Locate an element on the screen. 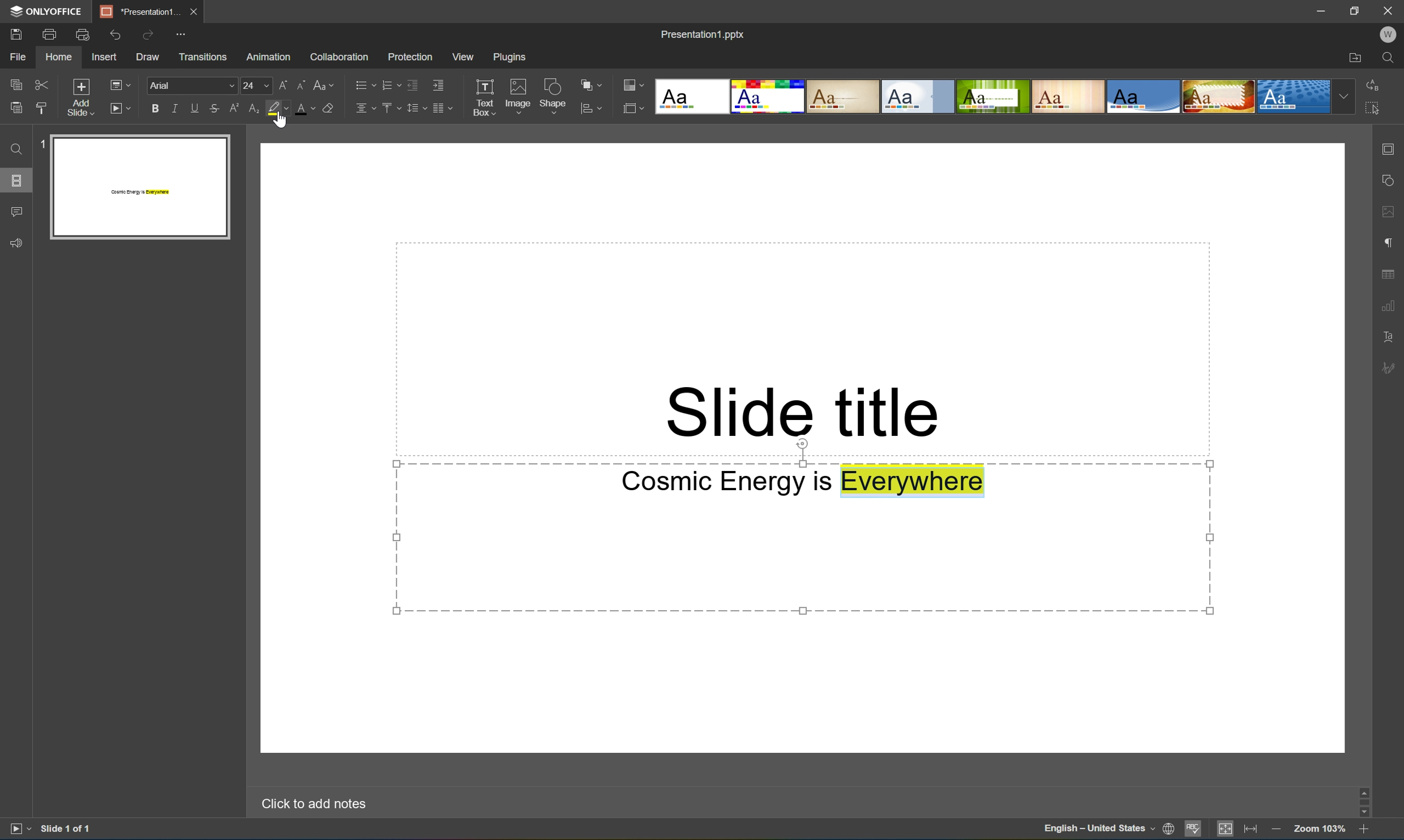 Image resolution: width=1404 pixels, height=840 pixels. Start layout is located at coordinates (119, 108).